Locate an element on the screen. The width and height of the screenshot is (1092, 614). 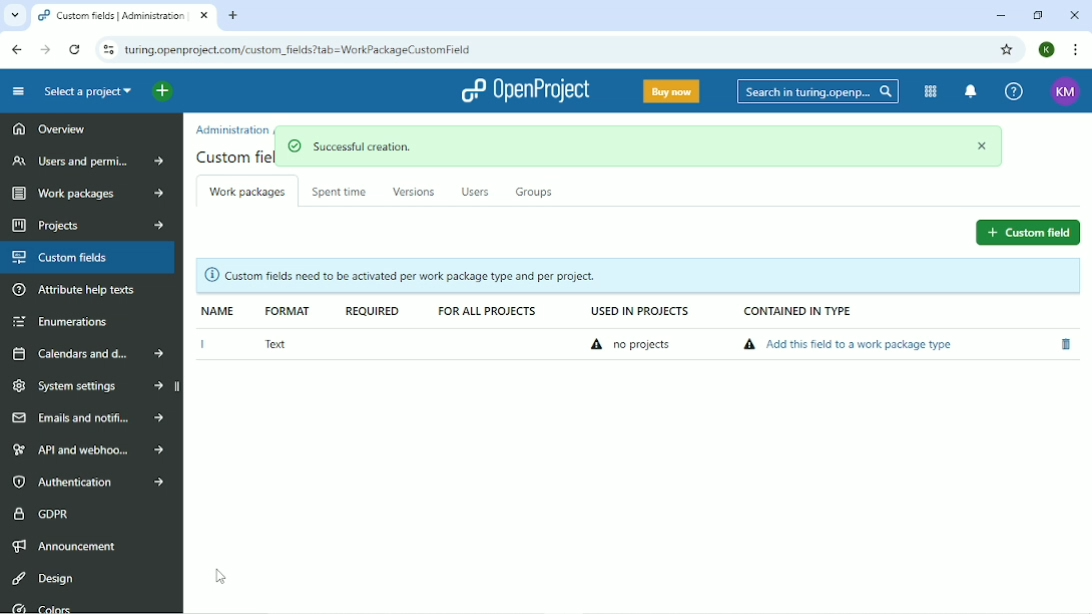
Projects is located at coordinates (85, 225).